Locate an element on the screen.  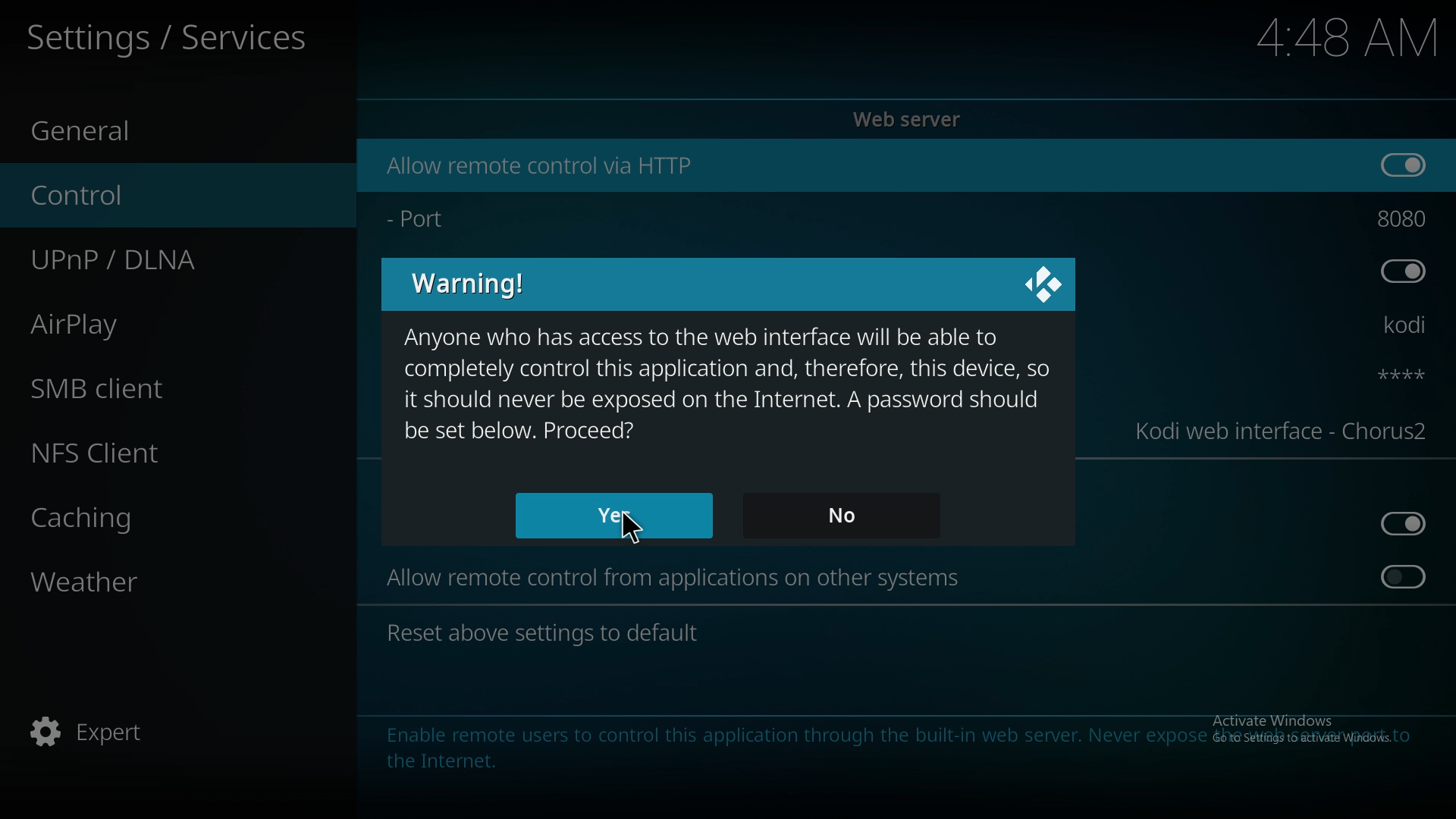
password is located at coordinates (1397, 378).